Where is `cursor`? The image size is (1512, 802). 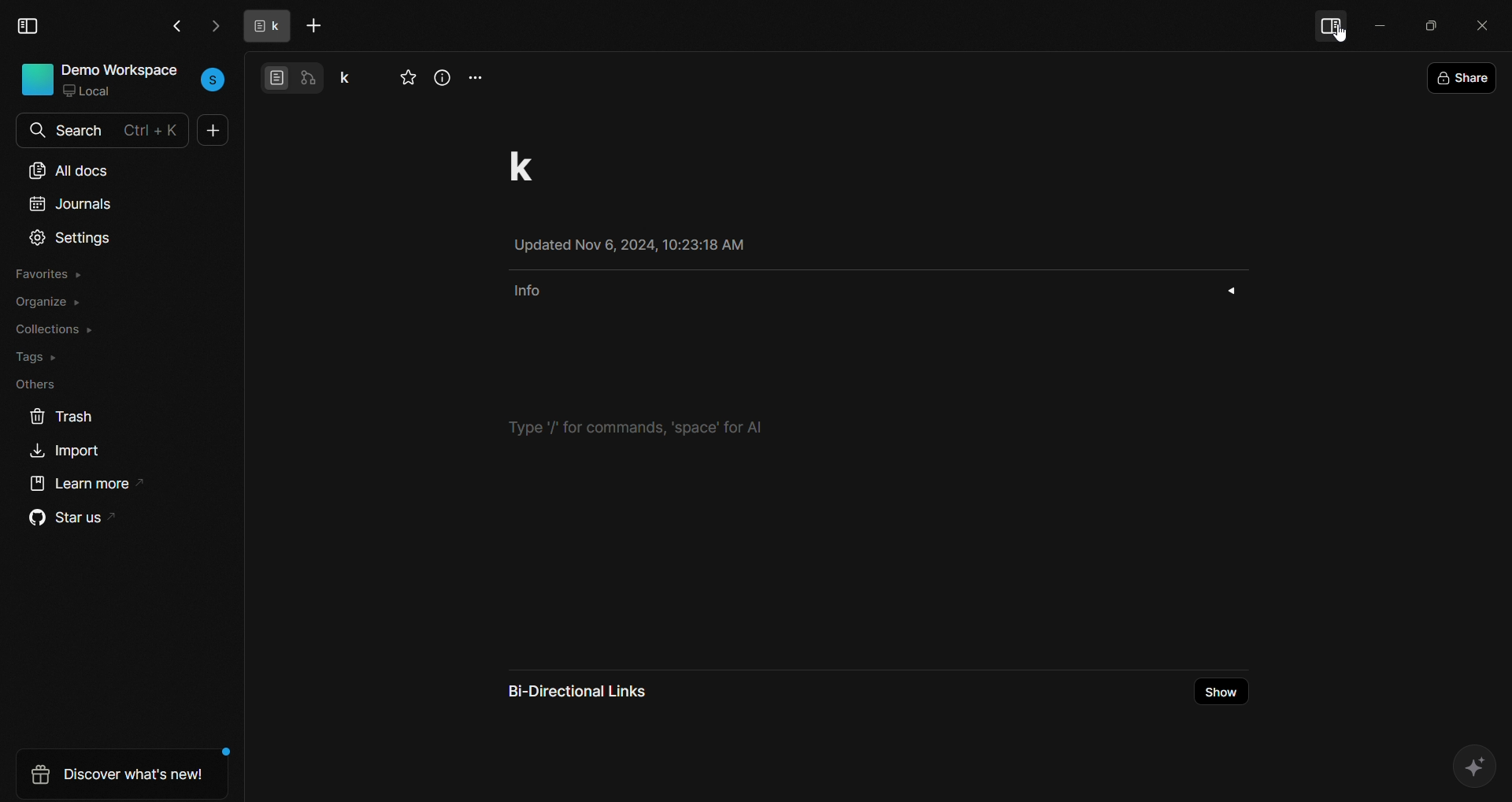 cursor is located at coordinates (1347, 33).